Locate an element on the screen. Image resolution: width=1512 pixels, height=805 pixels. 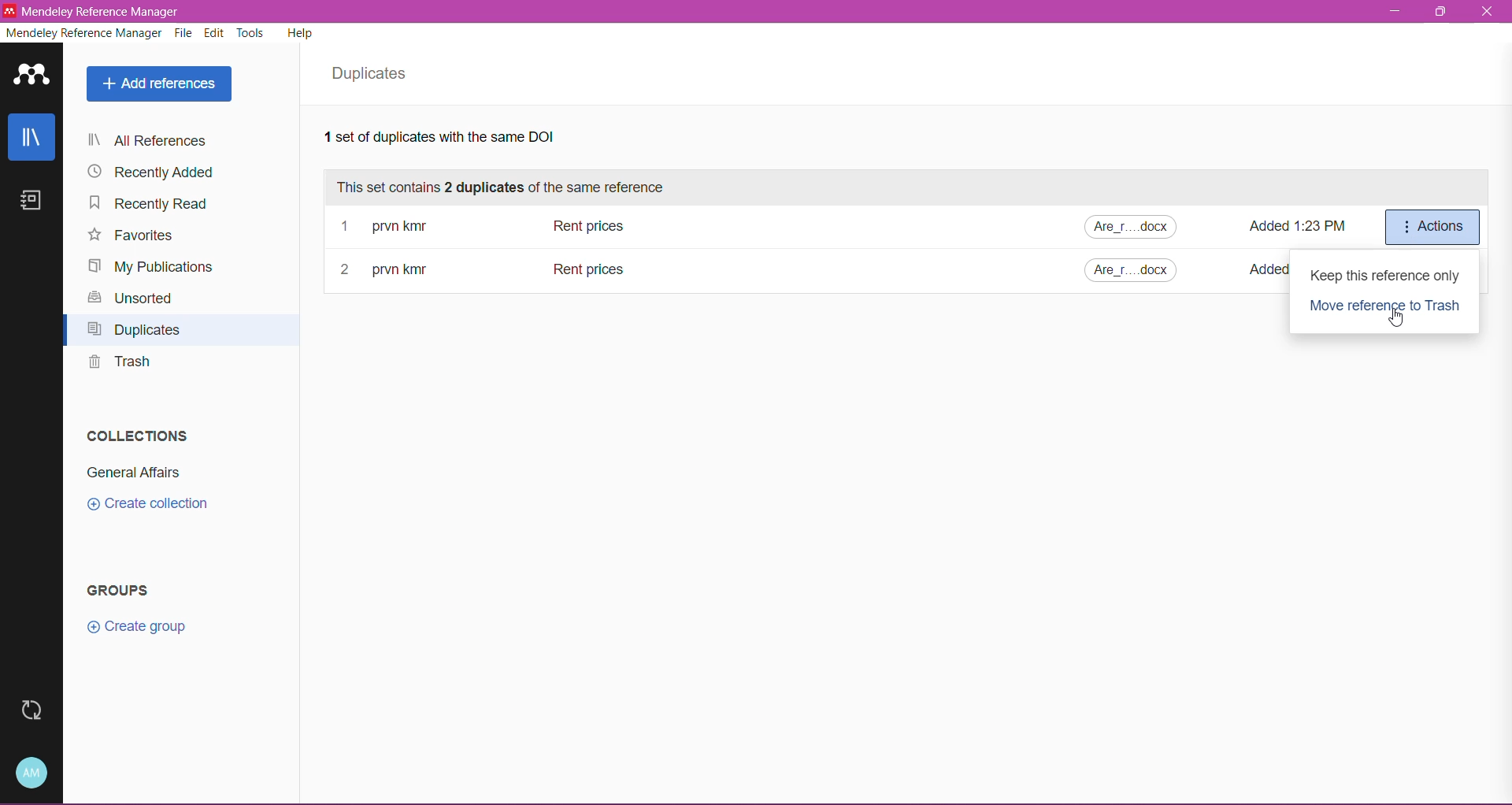
cursor is located at coordinates (1399, 320).